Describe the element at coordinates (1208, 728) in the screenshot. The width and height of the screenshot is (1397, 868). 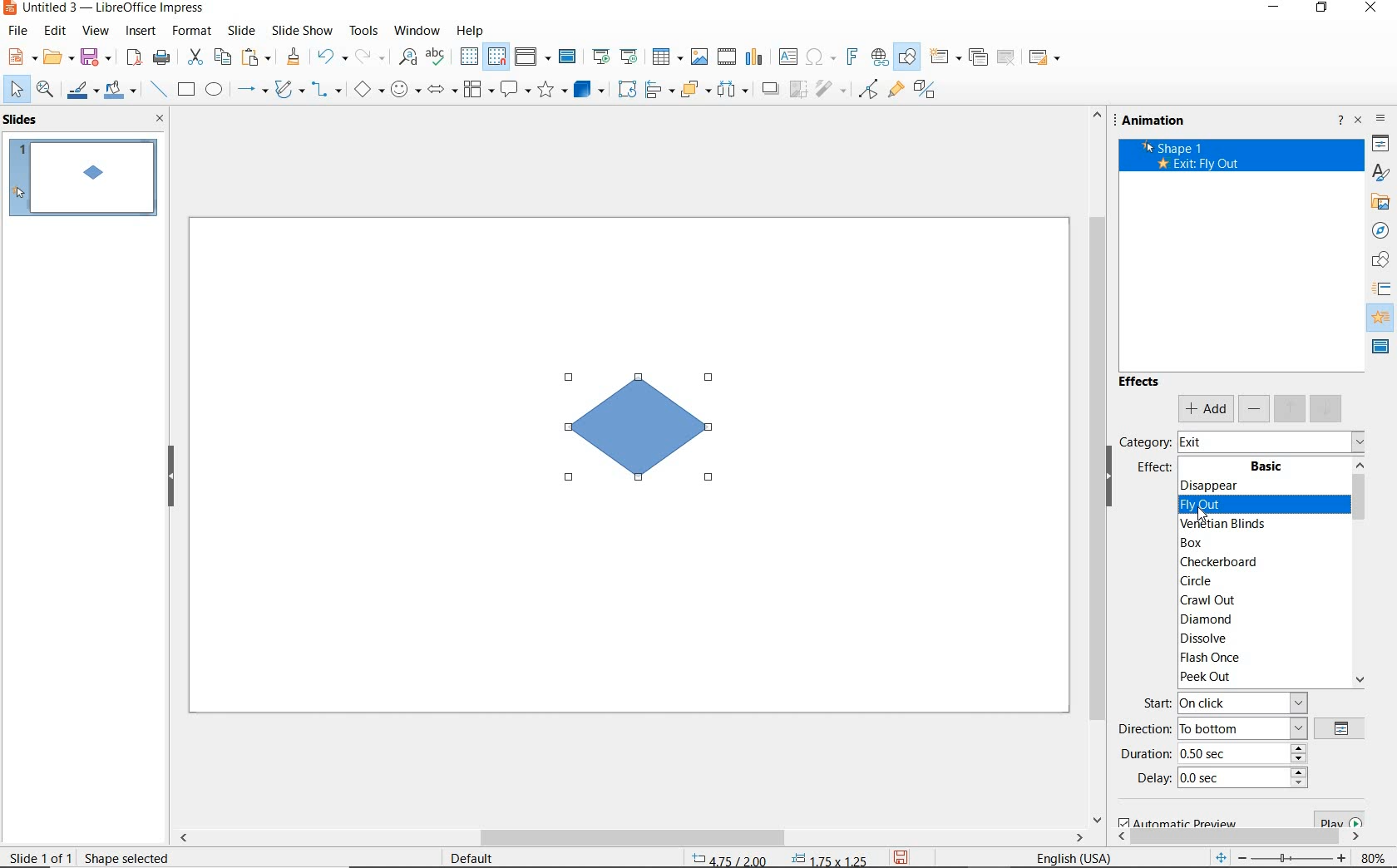
I see `direction` at that location.